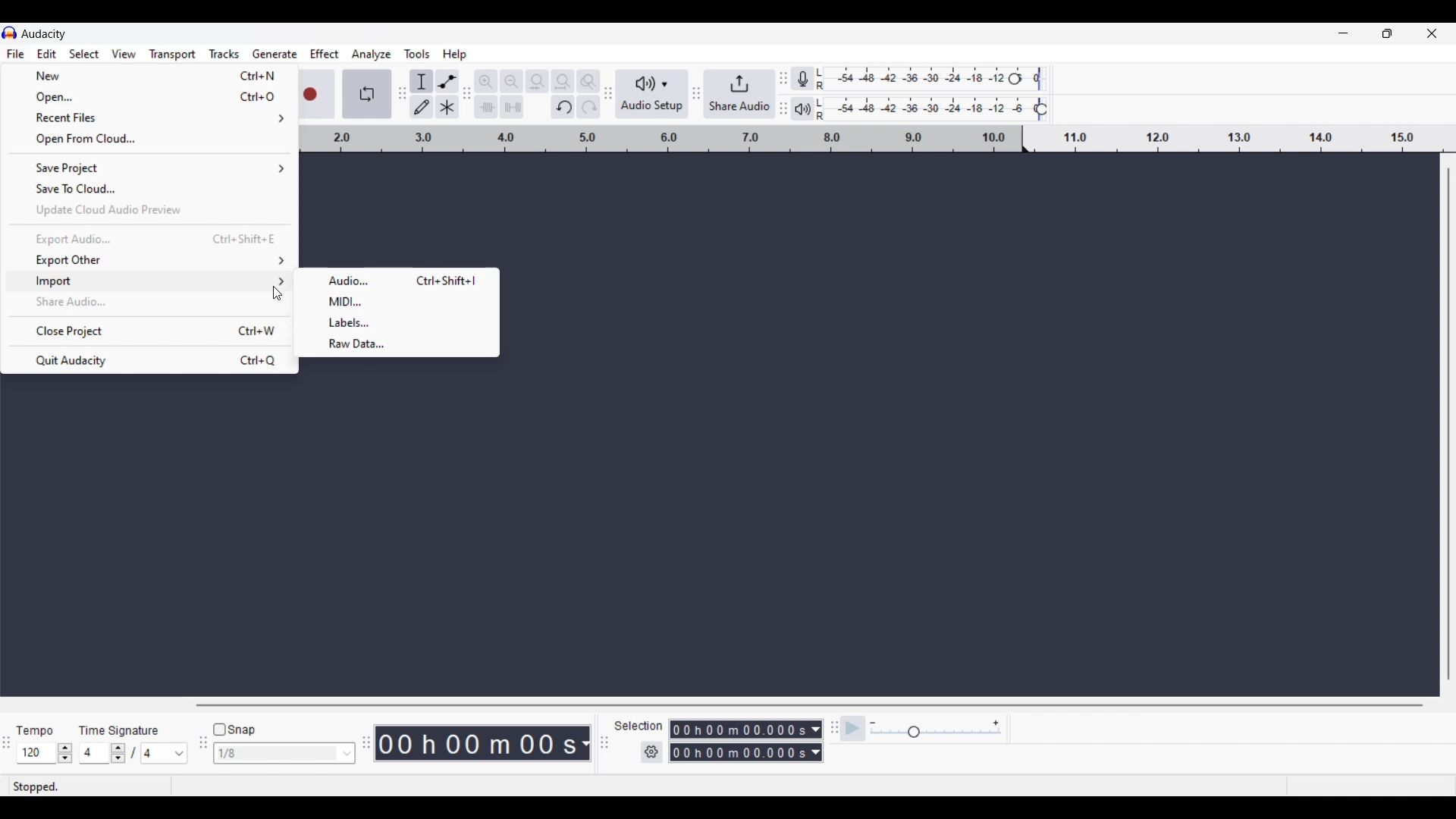 This screenshot has height=819, width=1456. What do you see at coordinates (275, 54) in the screenshot?
I see `Generate menu` at bounding box center [275, 54].